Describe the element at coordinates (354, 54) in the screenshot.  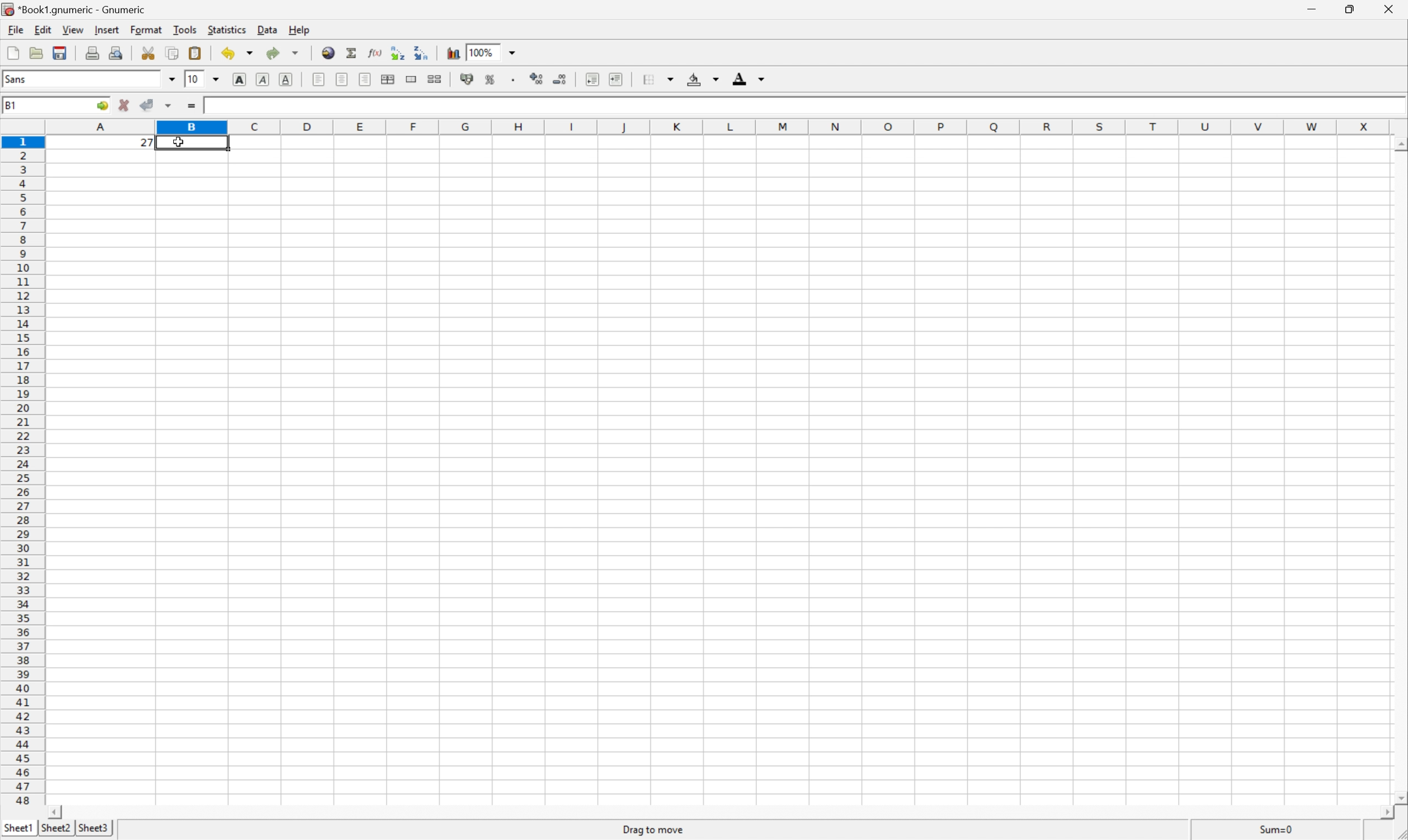
I see `Sum in current cell` at that location.